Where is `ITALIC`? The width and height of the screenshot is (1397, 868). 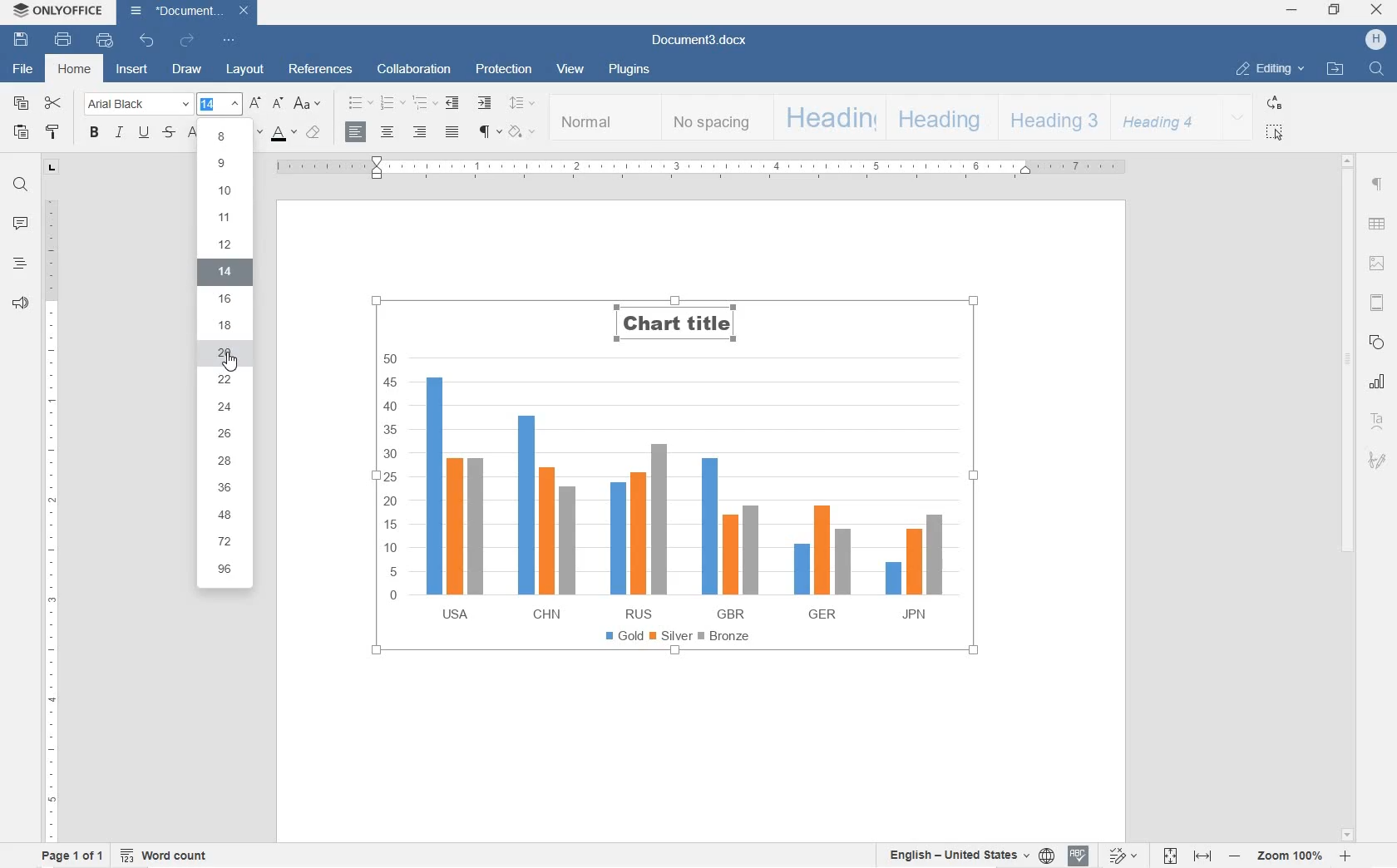
ITALIC is located at coordinates (120, 135).